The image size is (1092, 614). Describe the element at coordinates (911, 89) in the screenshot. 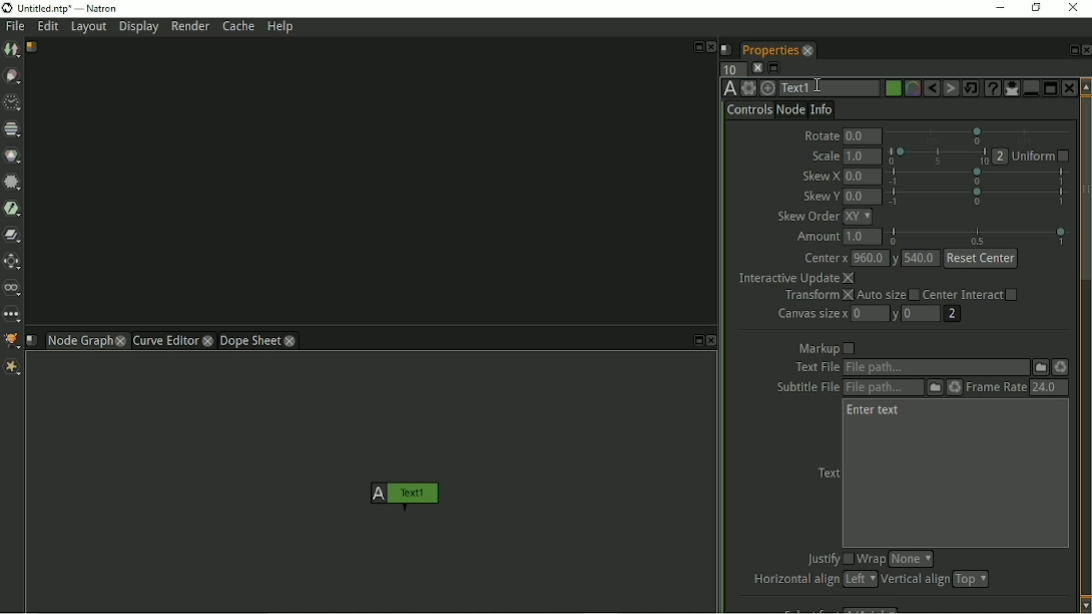

I see `Overlay color` at that location.